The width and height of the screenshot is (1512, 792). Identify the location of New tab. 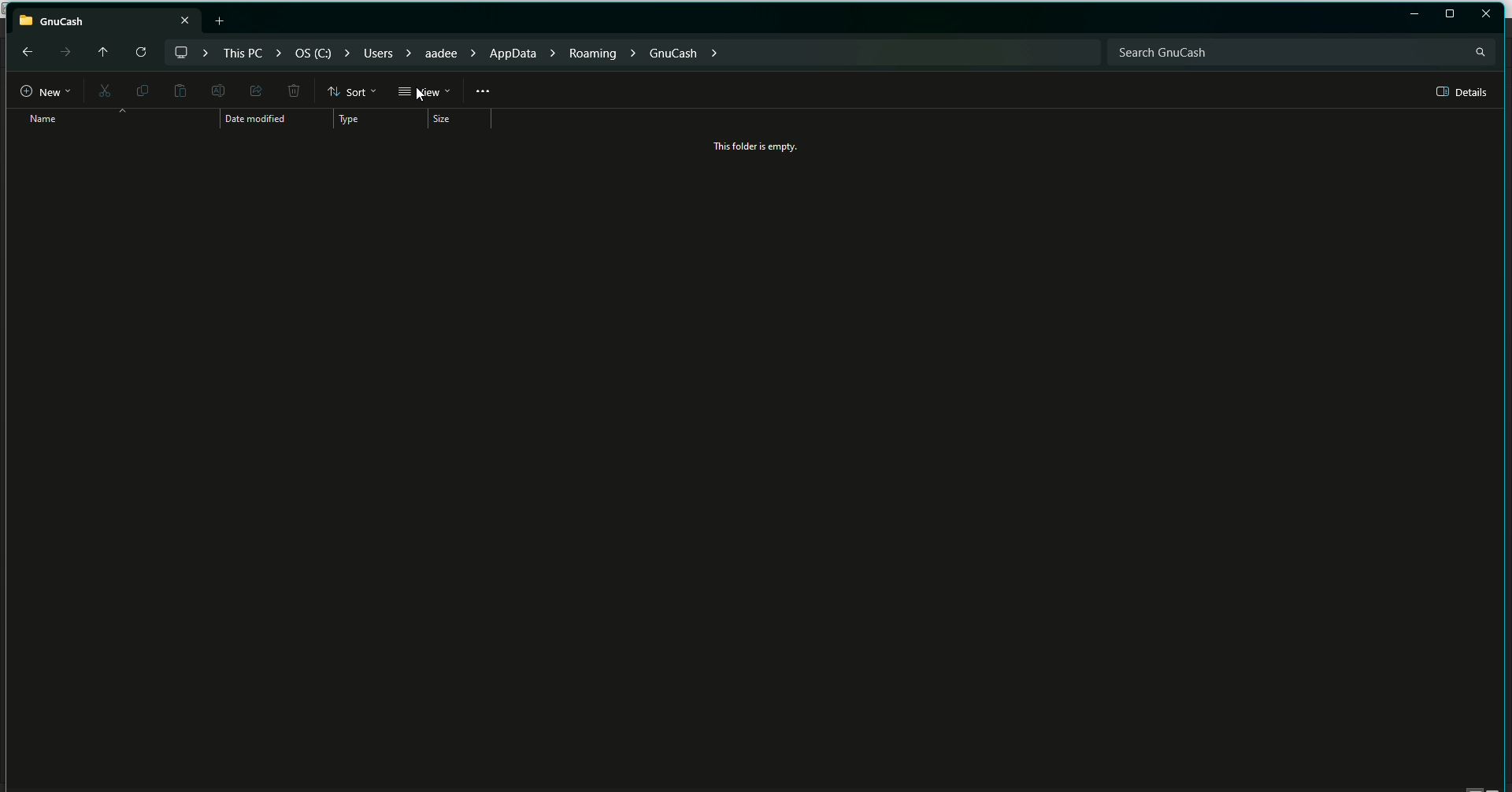
(222, 20).